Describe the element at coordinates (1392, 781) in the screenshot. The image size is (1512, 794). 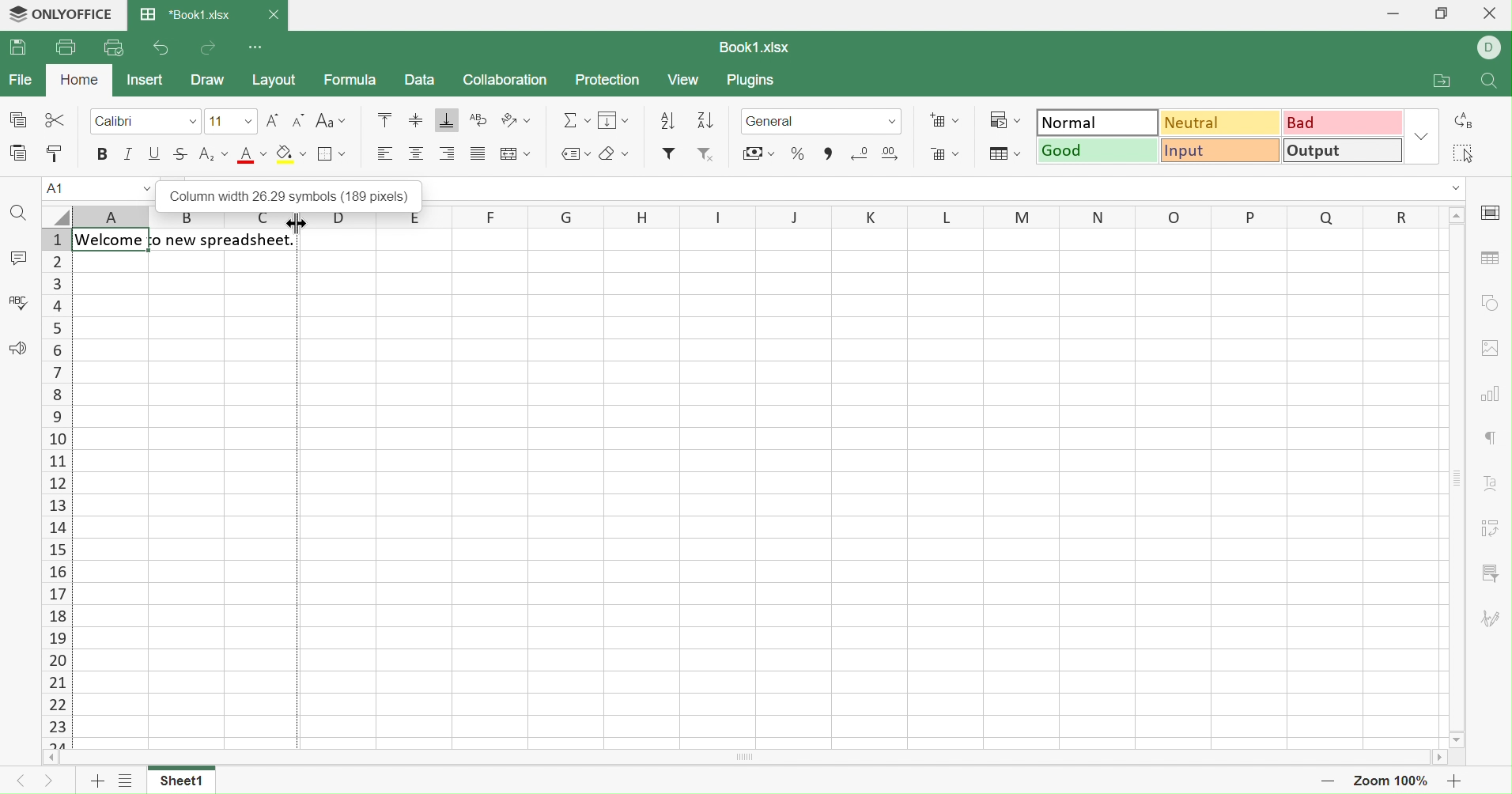
I see `Zoom 100%` at that location.